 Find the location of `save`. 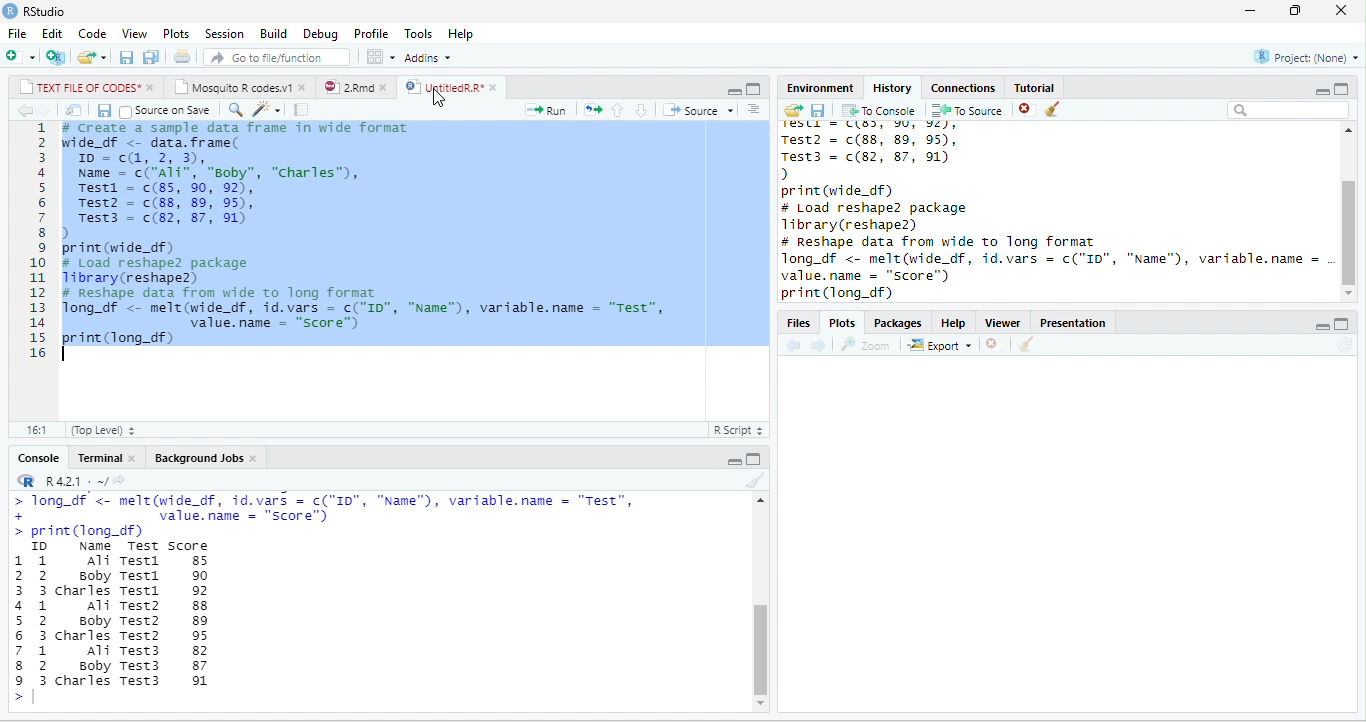

save is located at coordinates (819, 109).